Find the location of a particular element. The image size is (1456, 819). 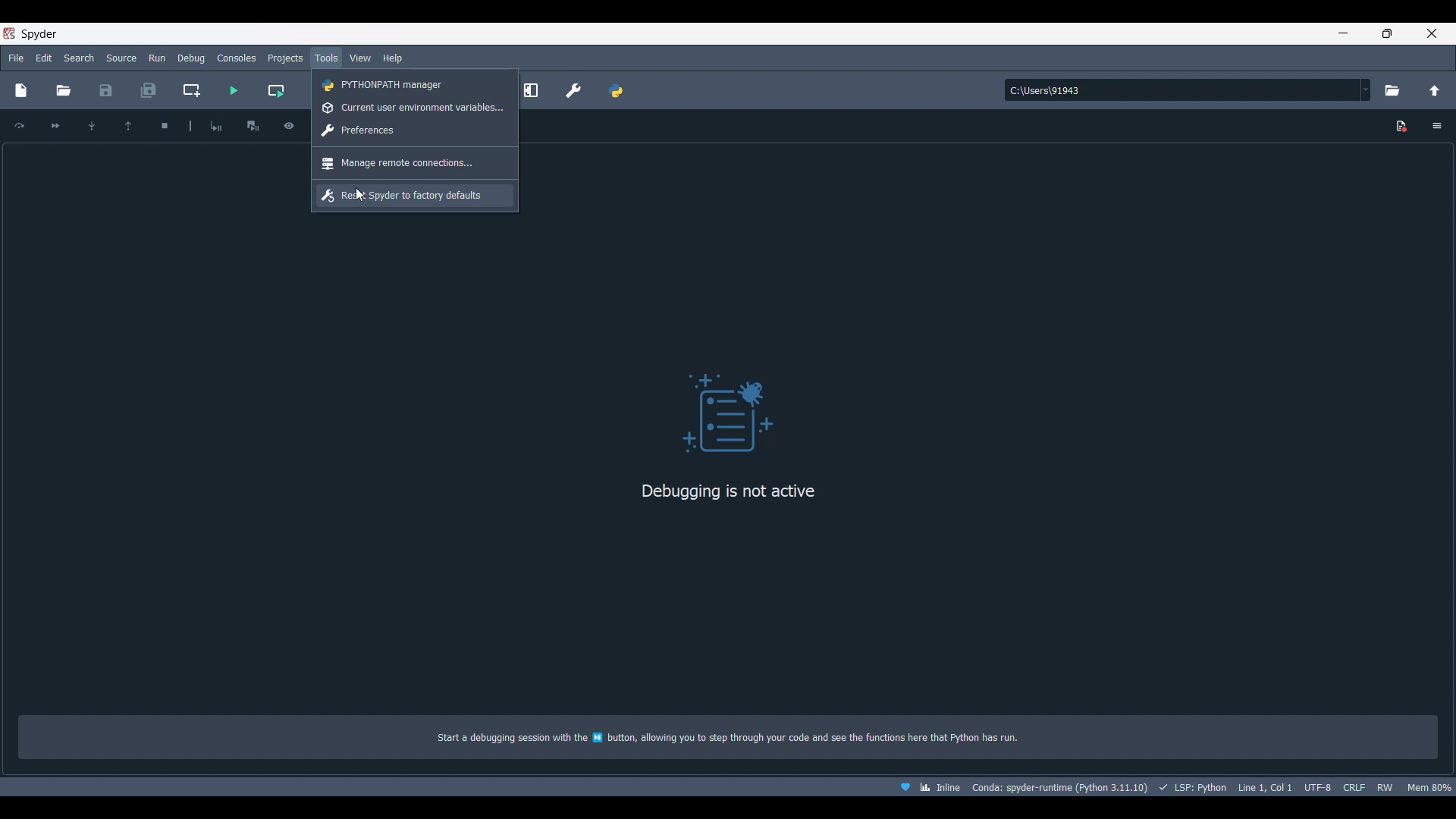

Document is located at coordinates (1402, 127).